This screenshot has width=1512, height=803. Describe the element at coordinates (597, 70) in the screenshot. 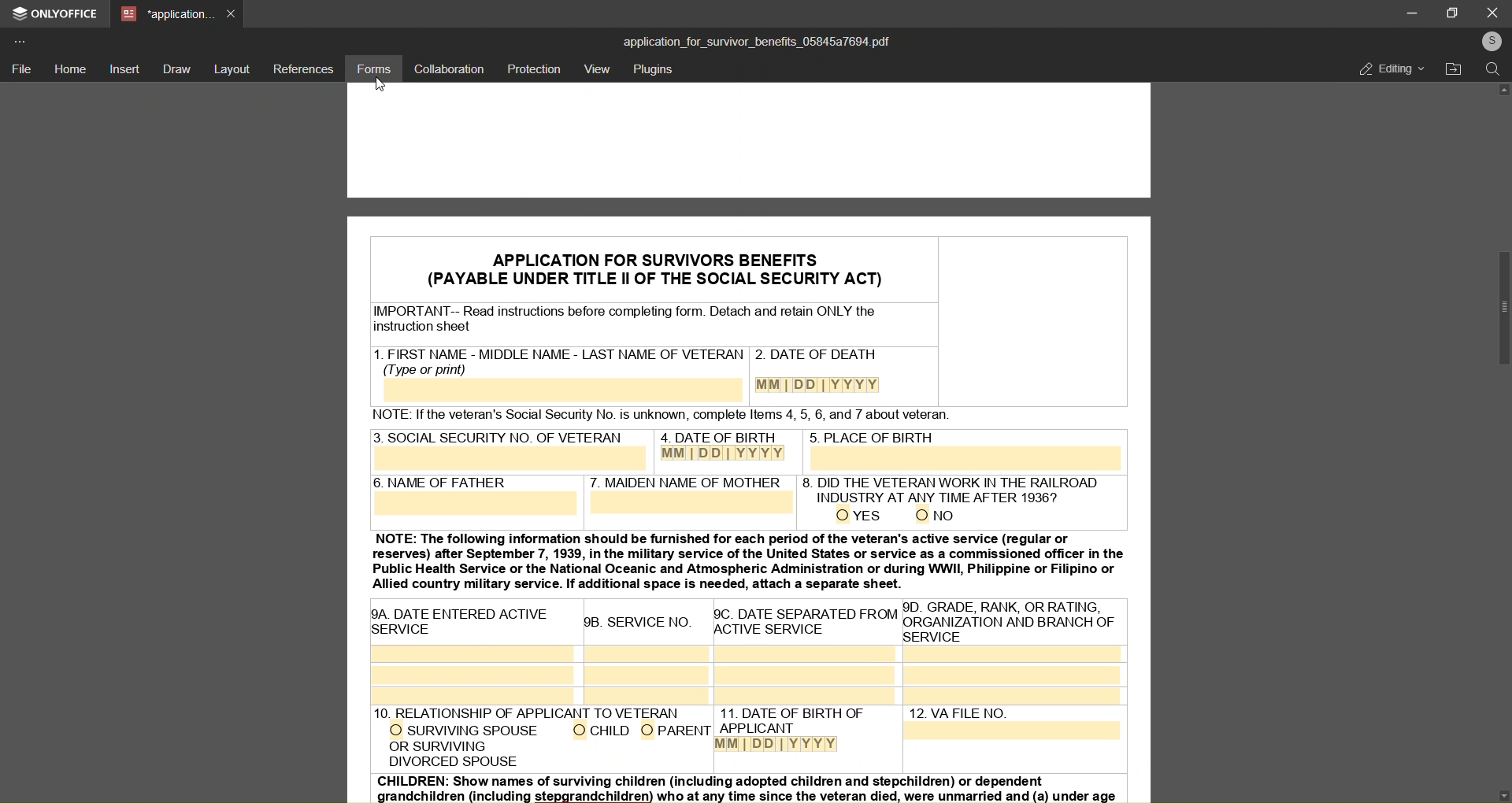

I see `view` at that location.